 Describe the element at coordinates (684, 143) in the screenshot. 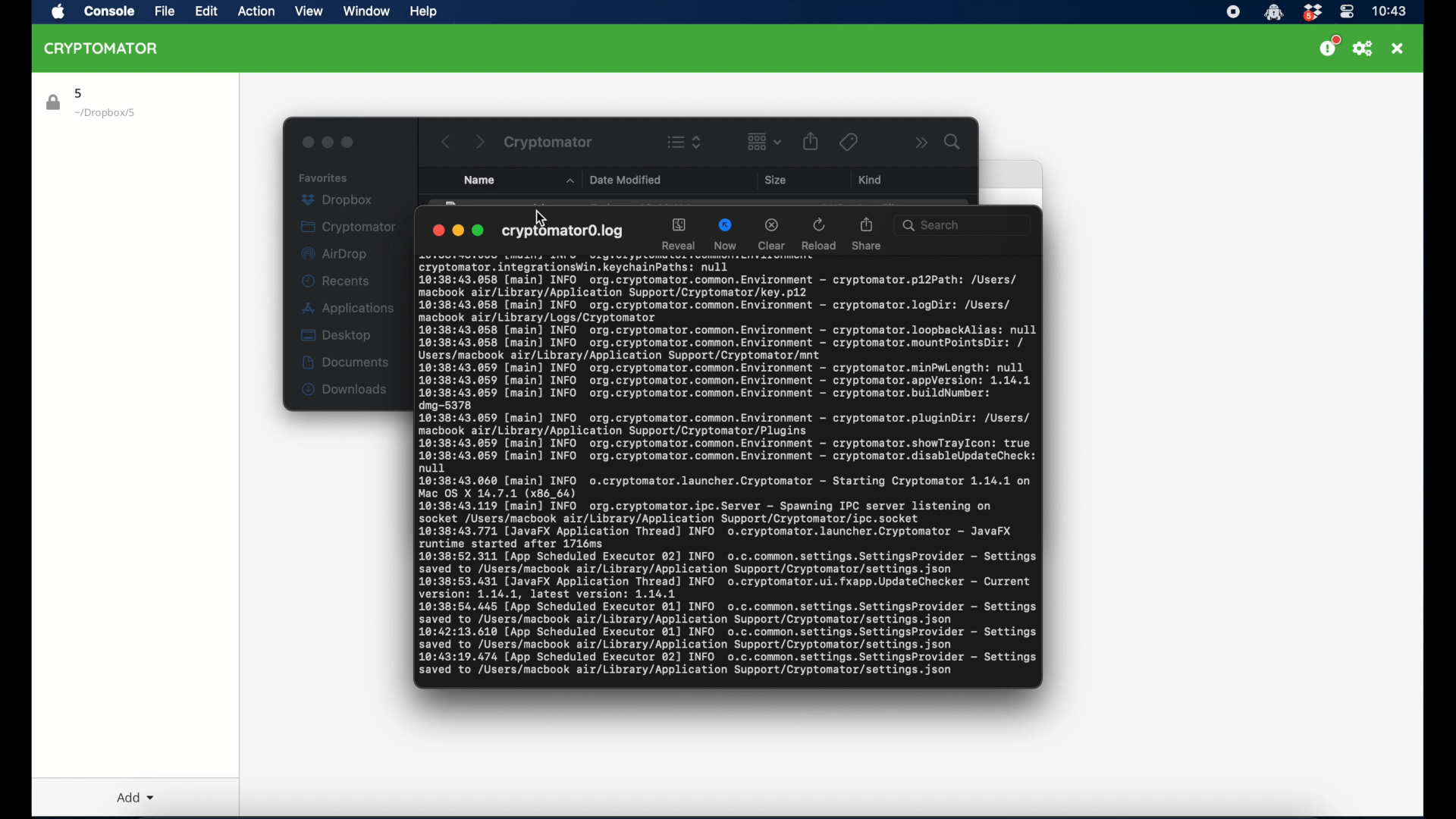

I see `view options` at that location.